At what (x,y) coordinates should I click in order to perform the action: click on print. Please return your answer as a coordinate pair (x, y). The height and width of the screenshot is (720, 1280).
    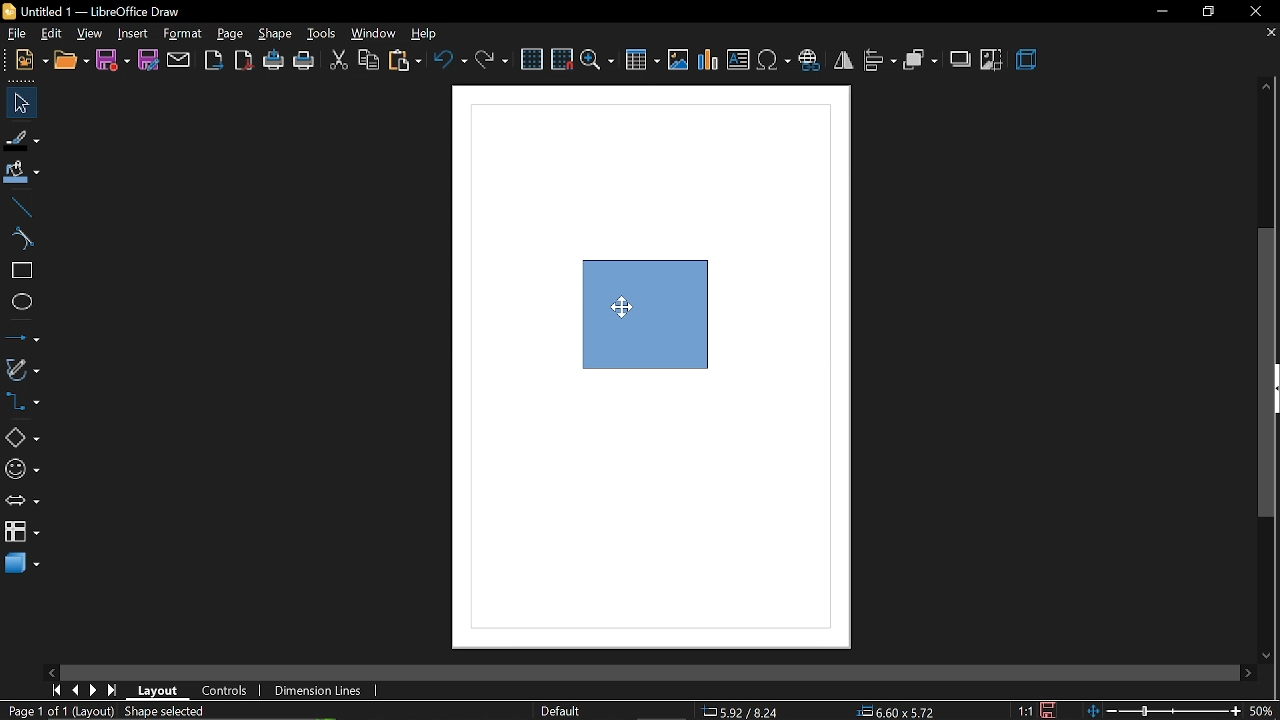
    Looking at the image, I should click on (305, 62).